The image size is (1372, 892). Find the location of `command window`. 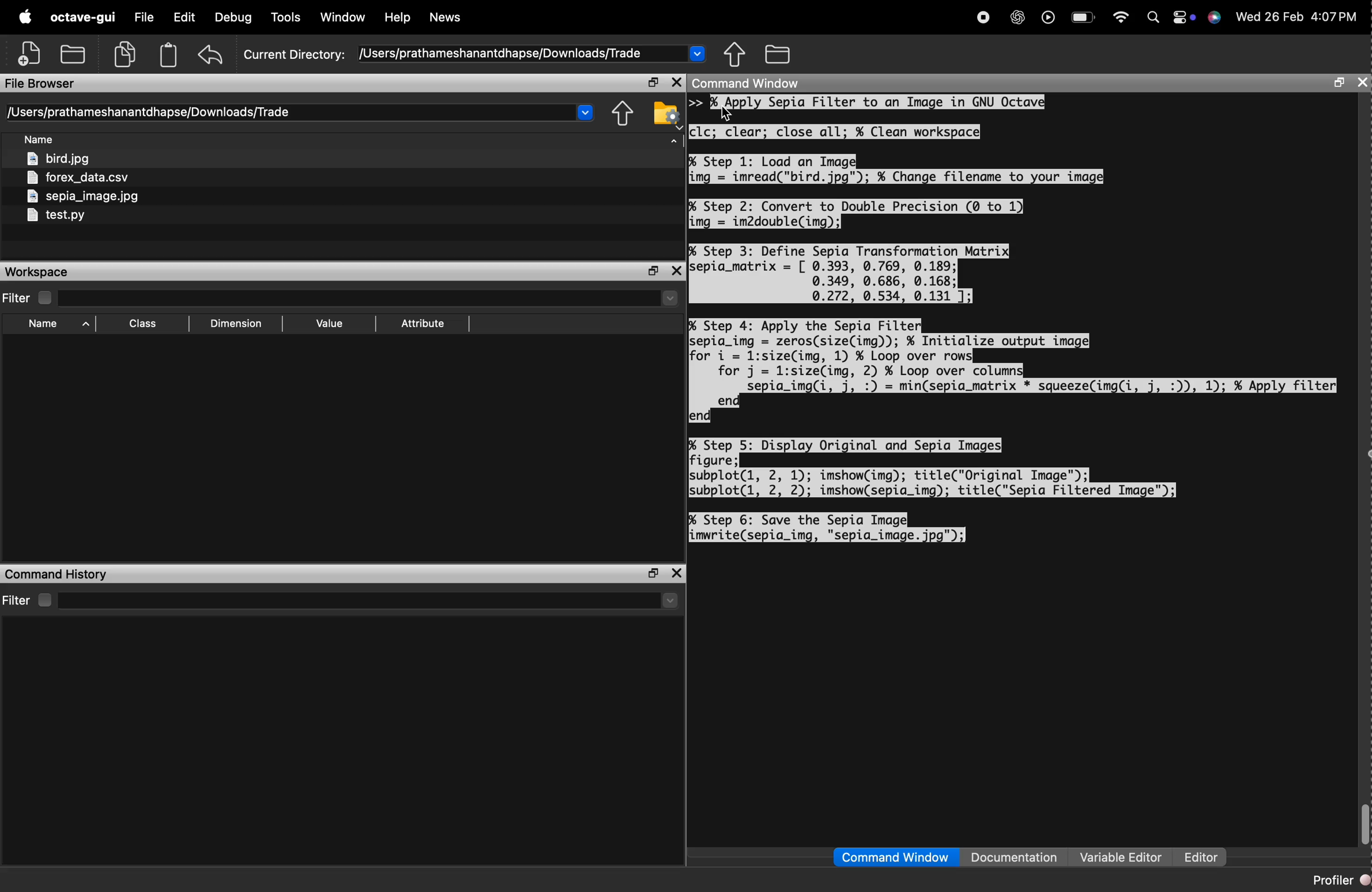

command window is located at coordinates (895, 856).